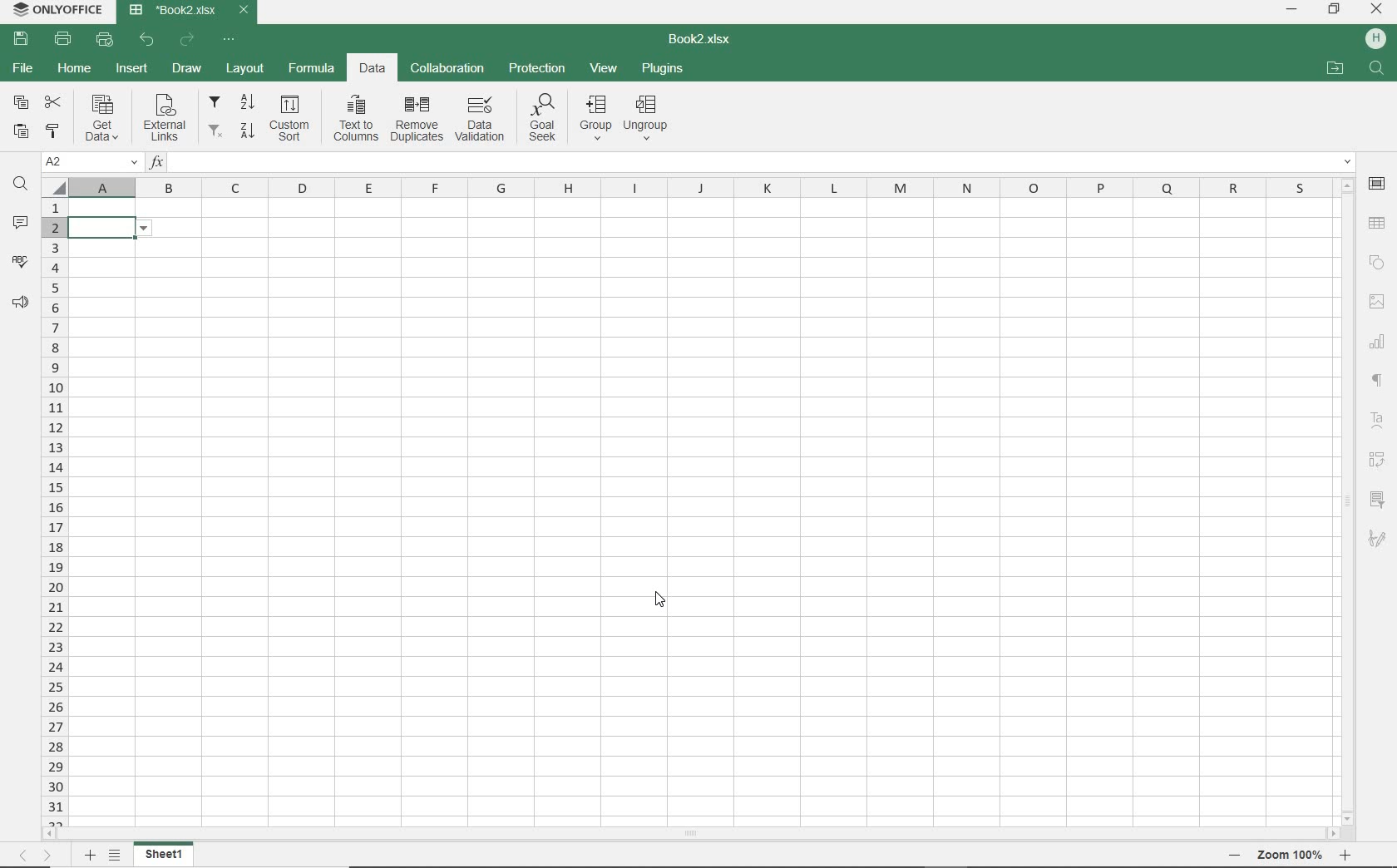 The image size is (1397, 868). I want to click on SHEET 1, so click(165, 855).